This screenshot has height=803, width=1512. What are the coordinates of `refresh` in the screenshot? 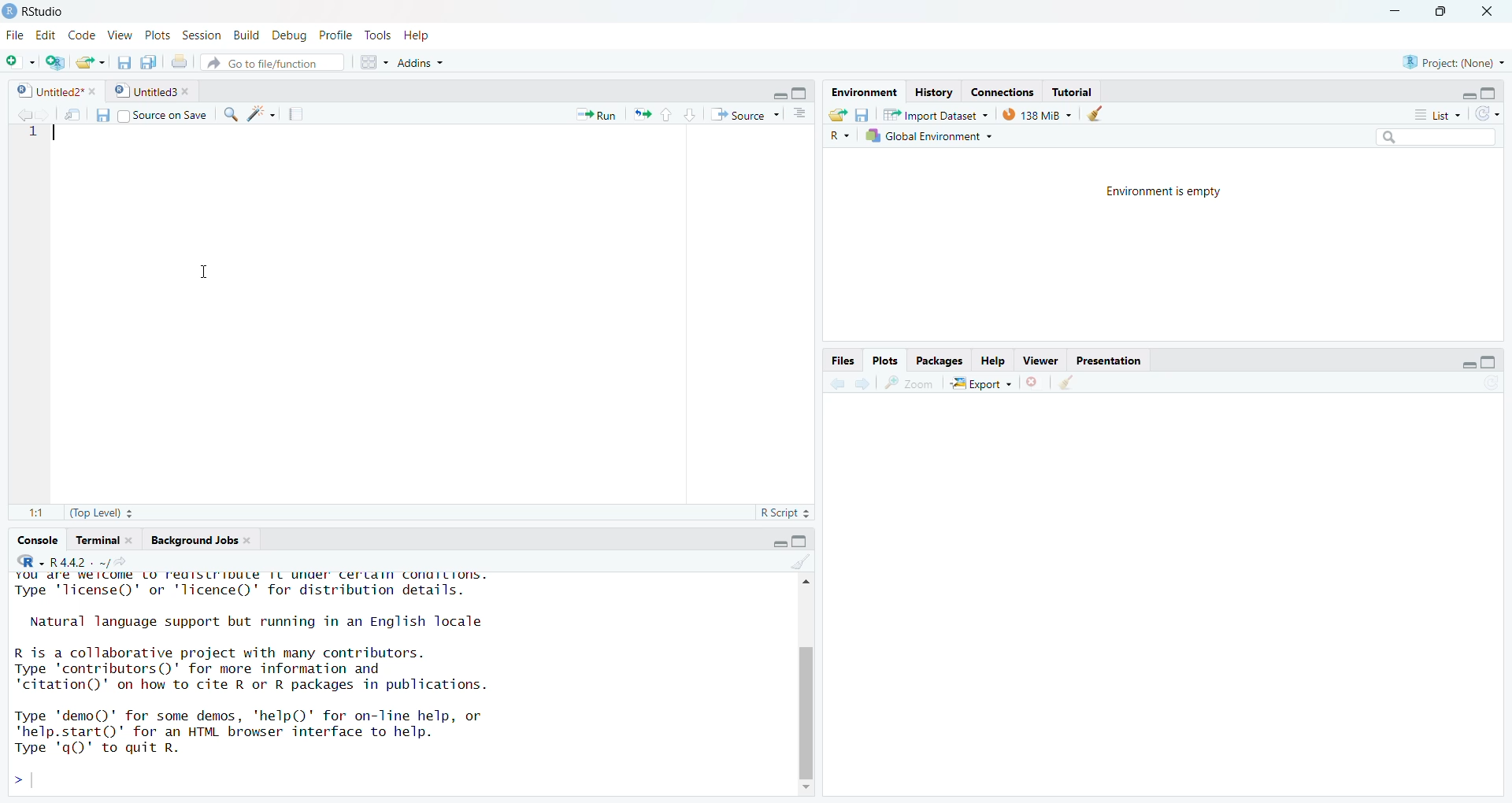 It's located at (1492, 113).